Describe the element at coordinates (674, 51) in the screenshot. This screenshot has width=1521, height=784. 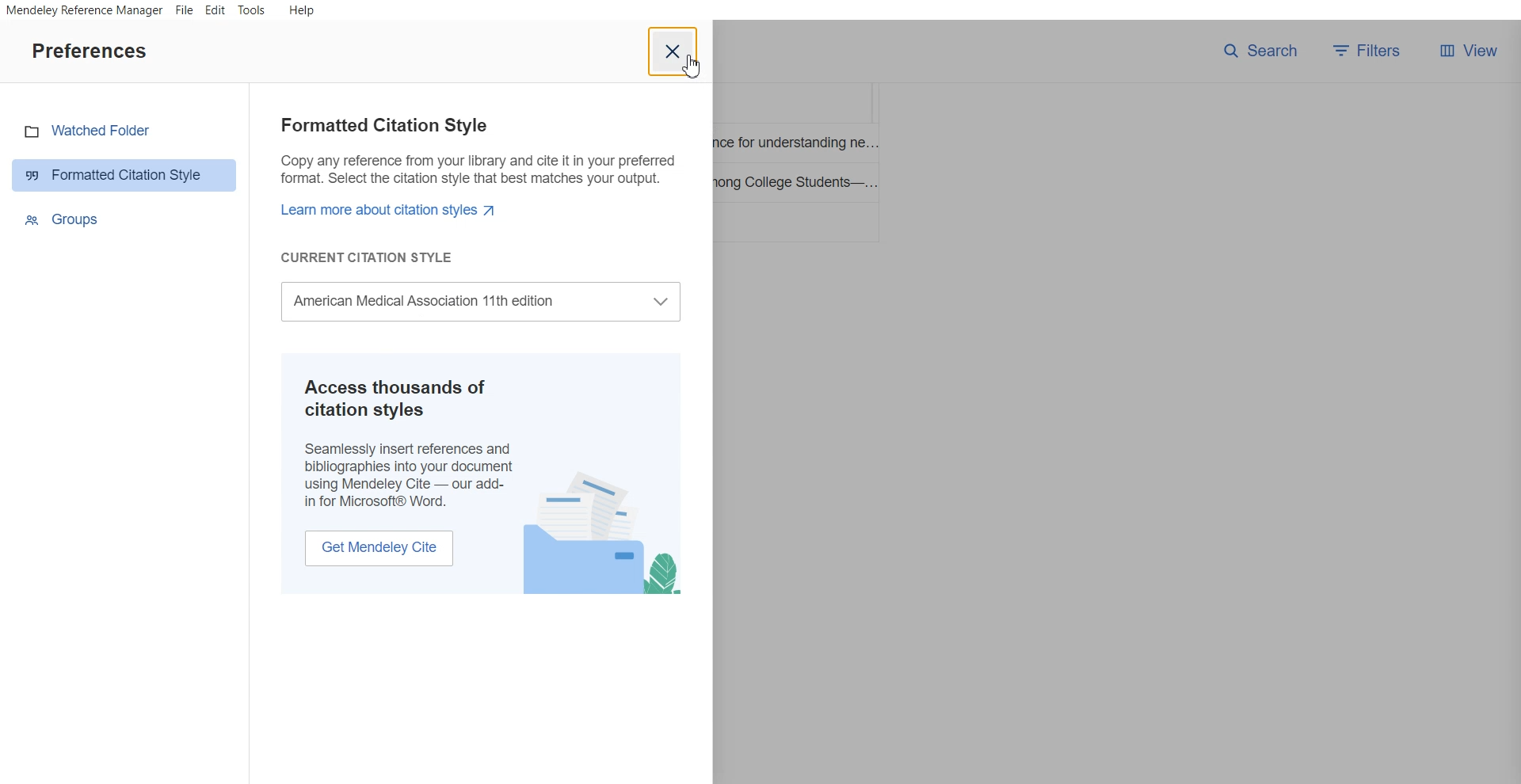
I see `Close` at that location.